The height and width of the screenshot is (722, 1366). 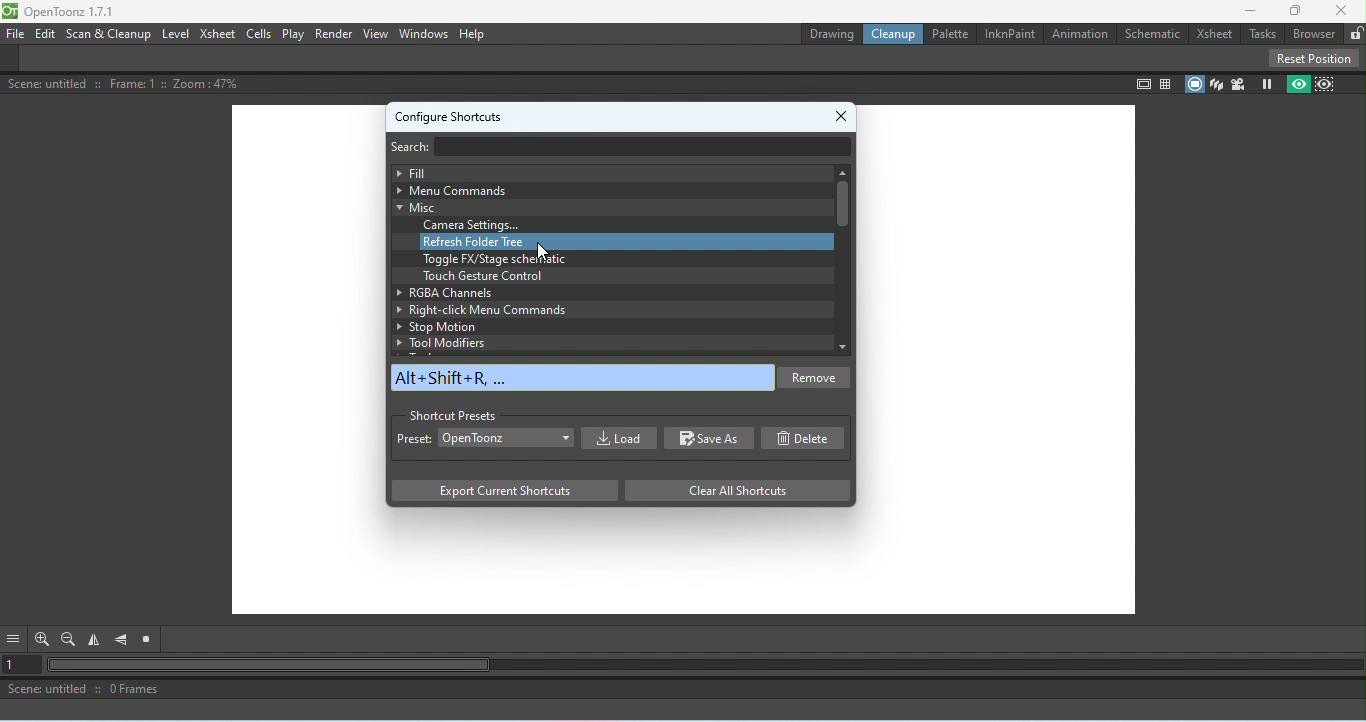 What do you see at coordinates (844, 112) in the screenshot?
I see `Close` at bounding box center [844, 112].